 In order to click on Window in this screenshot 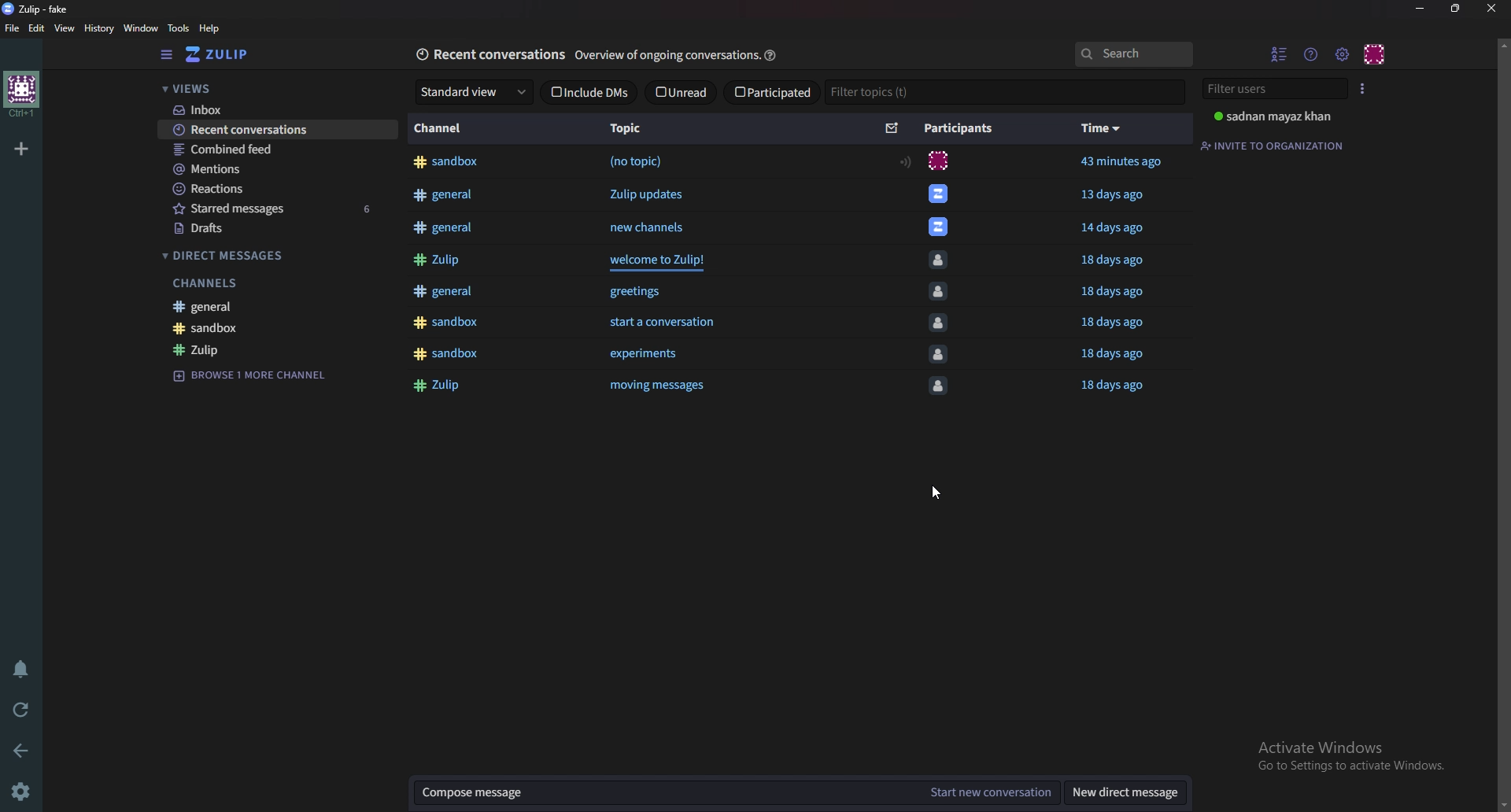, I will do `click(141, 28)`.